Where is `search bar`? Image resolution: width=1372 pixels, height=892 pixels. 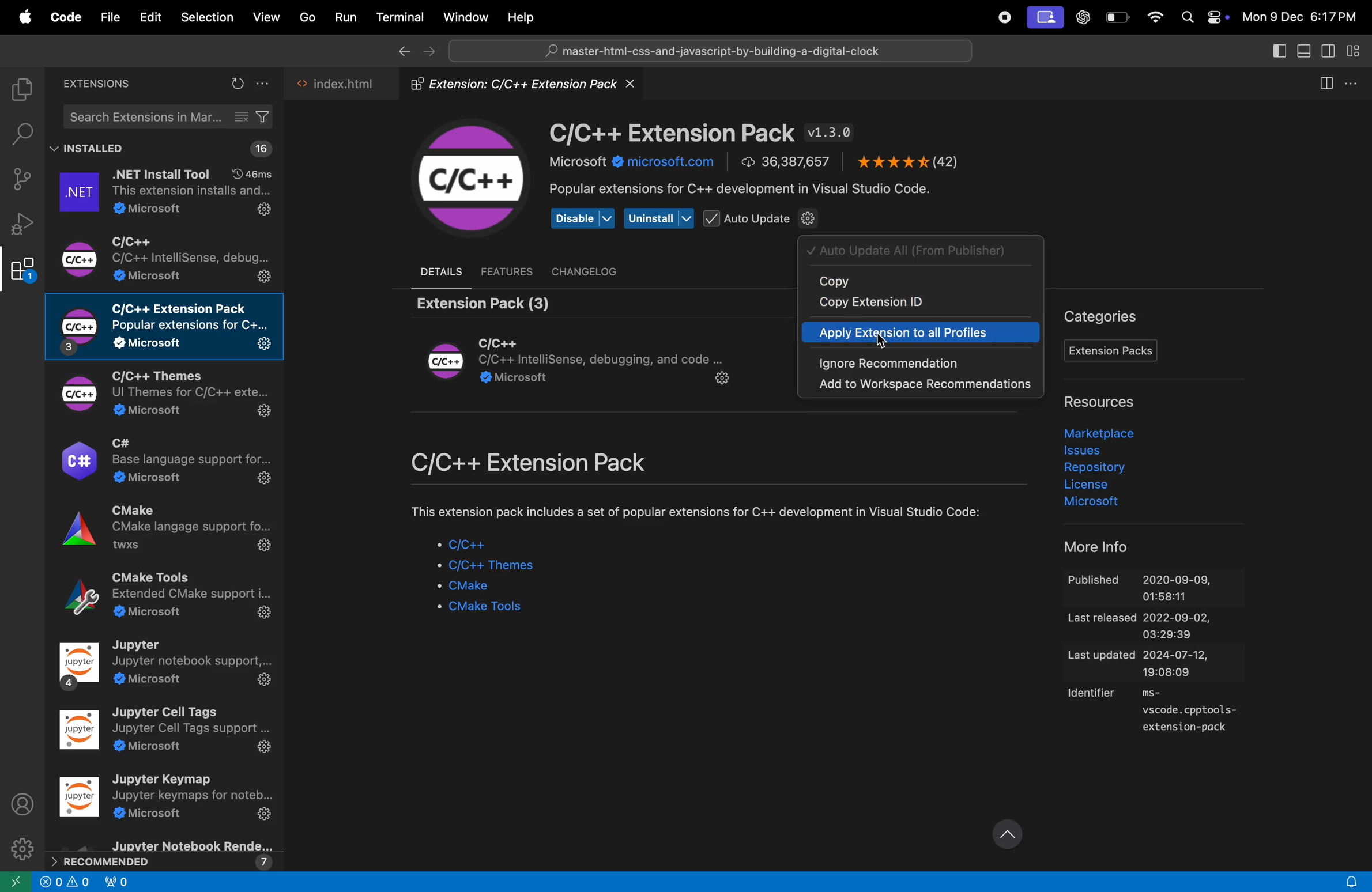 search bar is located at coordinates (21, 132).